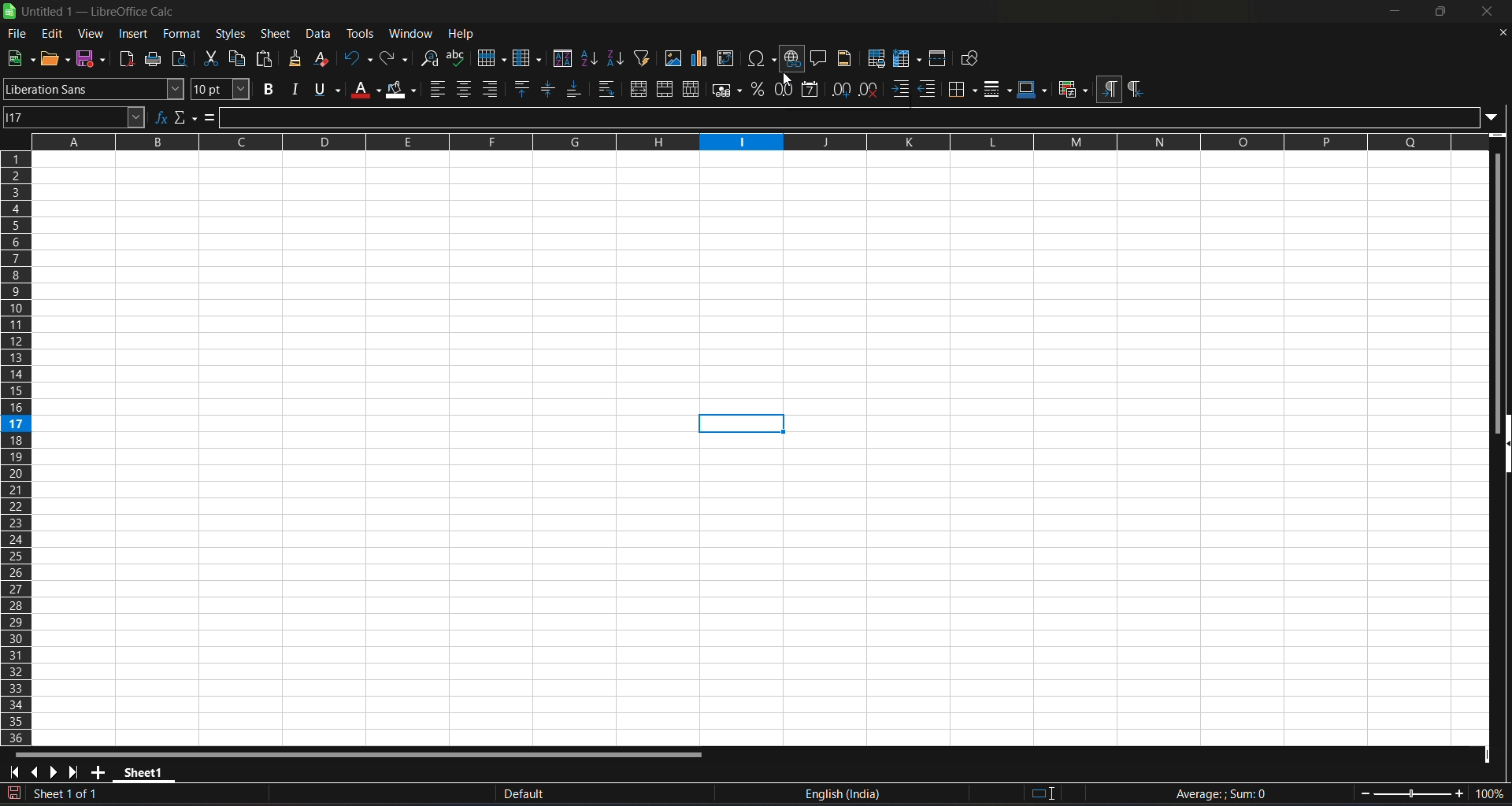 This screenshot has width=1512, height=806. What do you see at coordinates (1045, 794) in the screenshot?
I see `standard selection` at bounding box center [1045, 794].